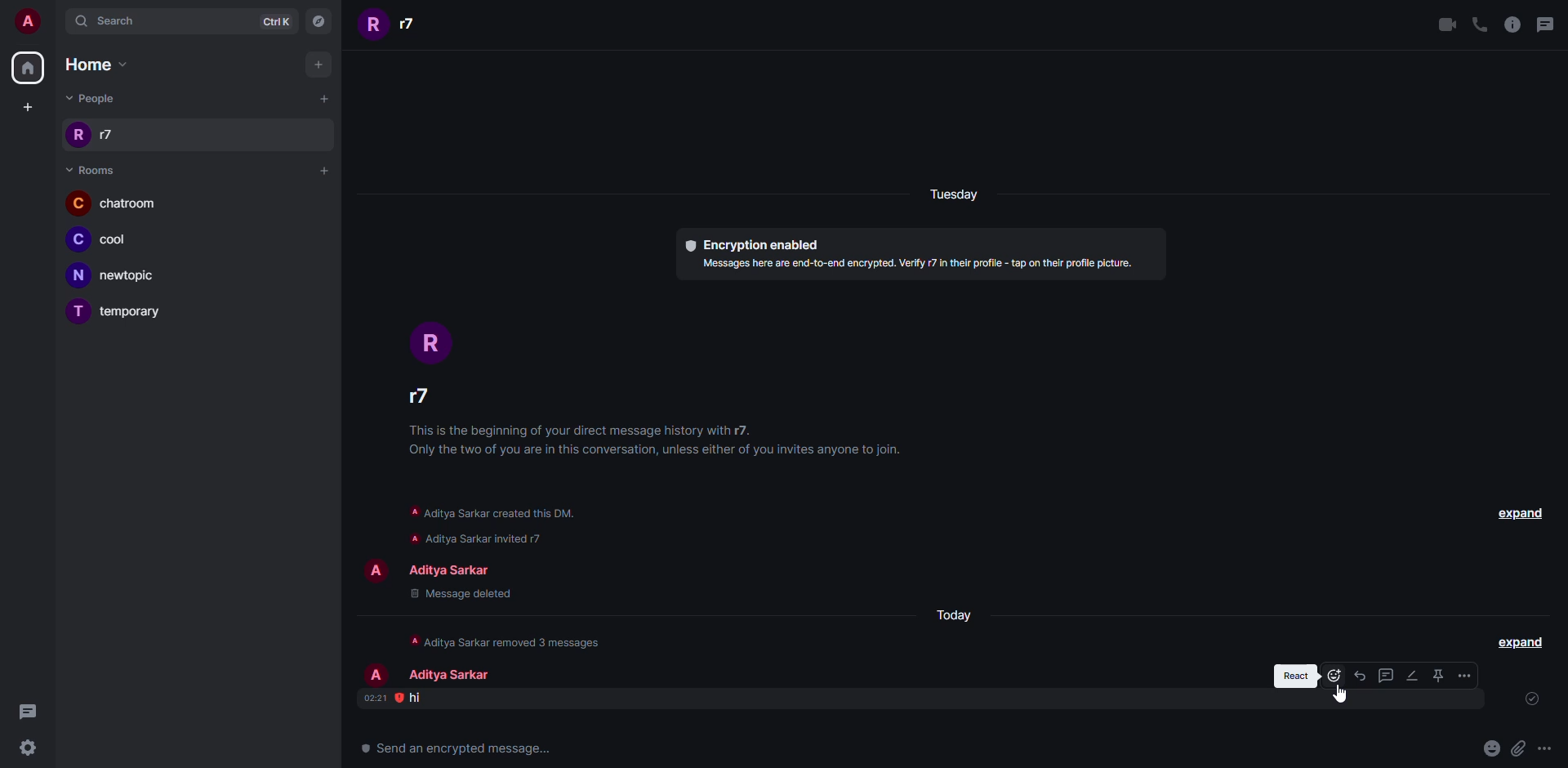 The height and width of the screenshot is (768, 1568). I want to click on home, so click(28, 68).